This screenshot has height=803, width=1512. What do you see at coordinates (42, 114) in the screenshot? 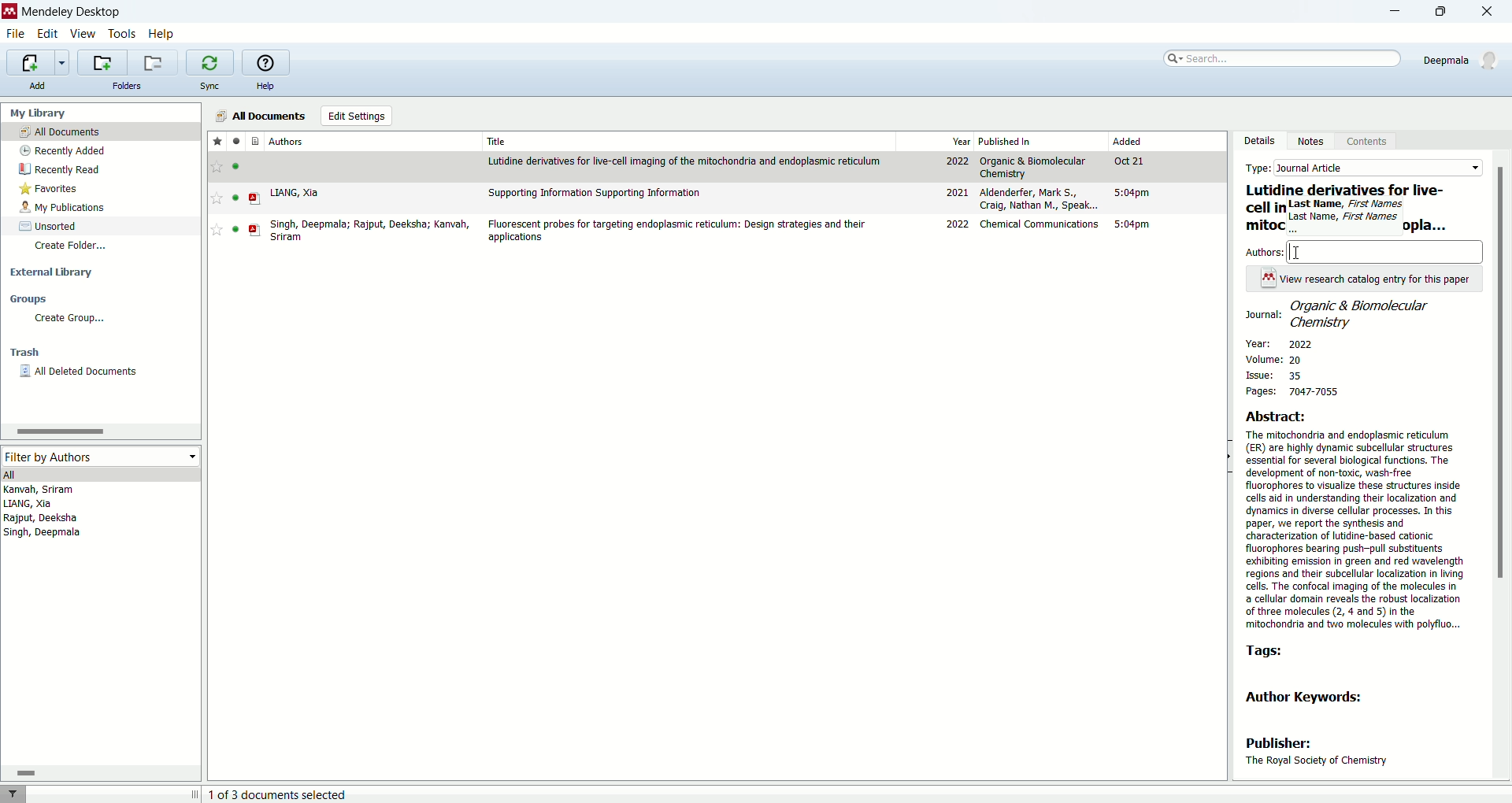
I see `my library` at bounding box center [42, 114].